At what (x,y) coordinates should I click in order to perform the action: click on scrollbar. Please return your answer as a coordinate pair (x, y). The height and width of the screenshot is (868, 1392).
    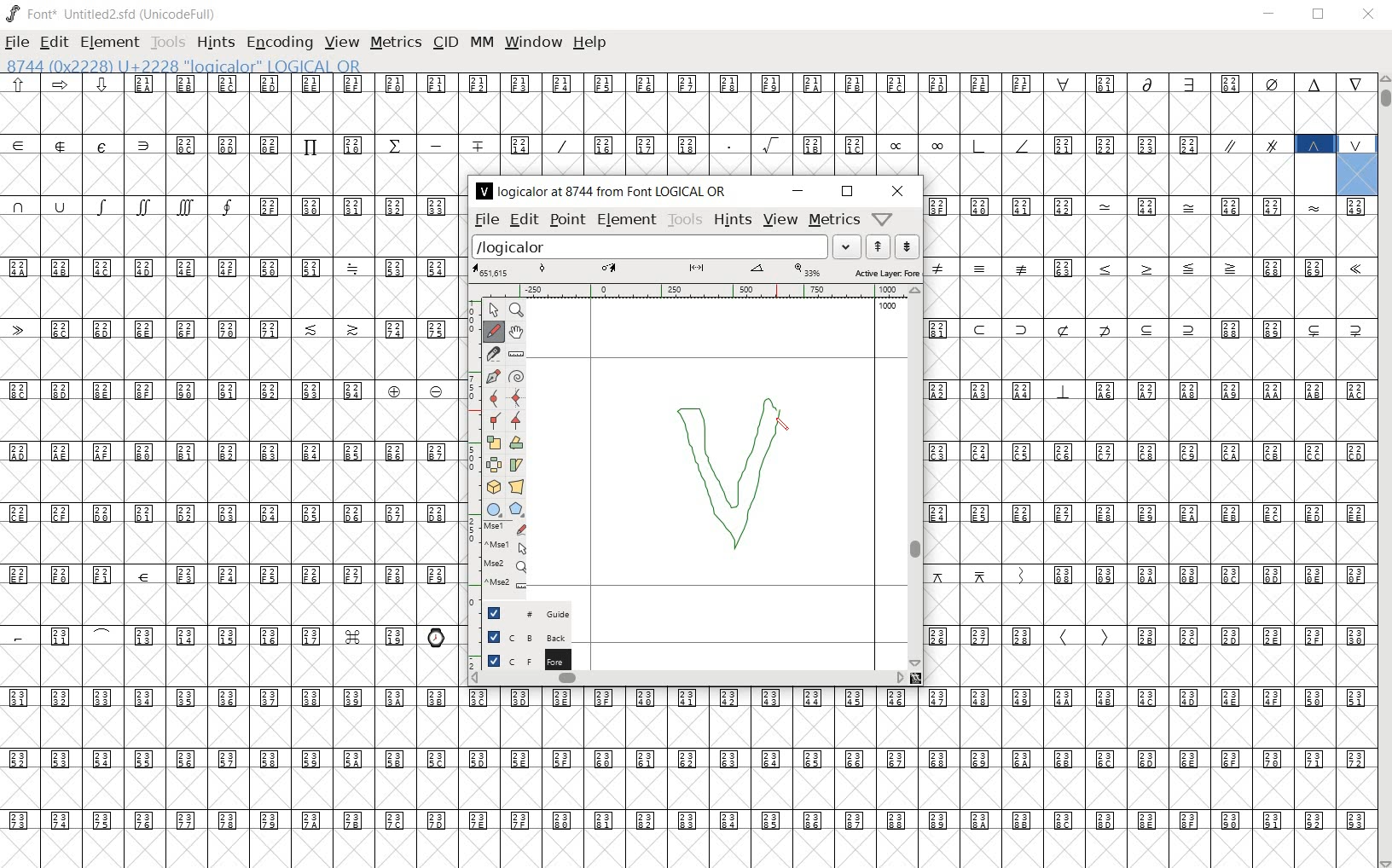
    Looking at the image, I should click on (691, 678).